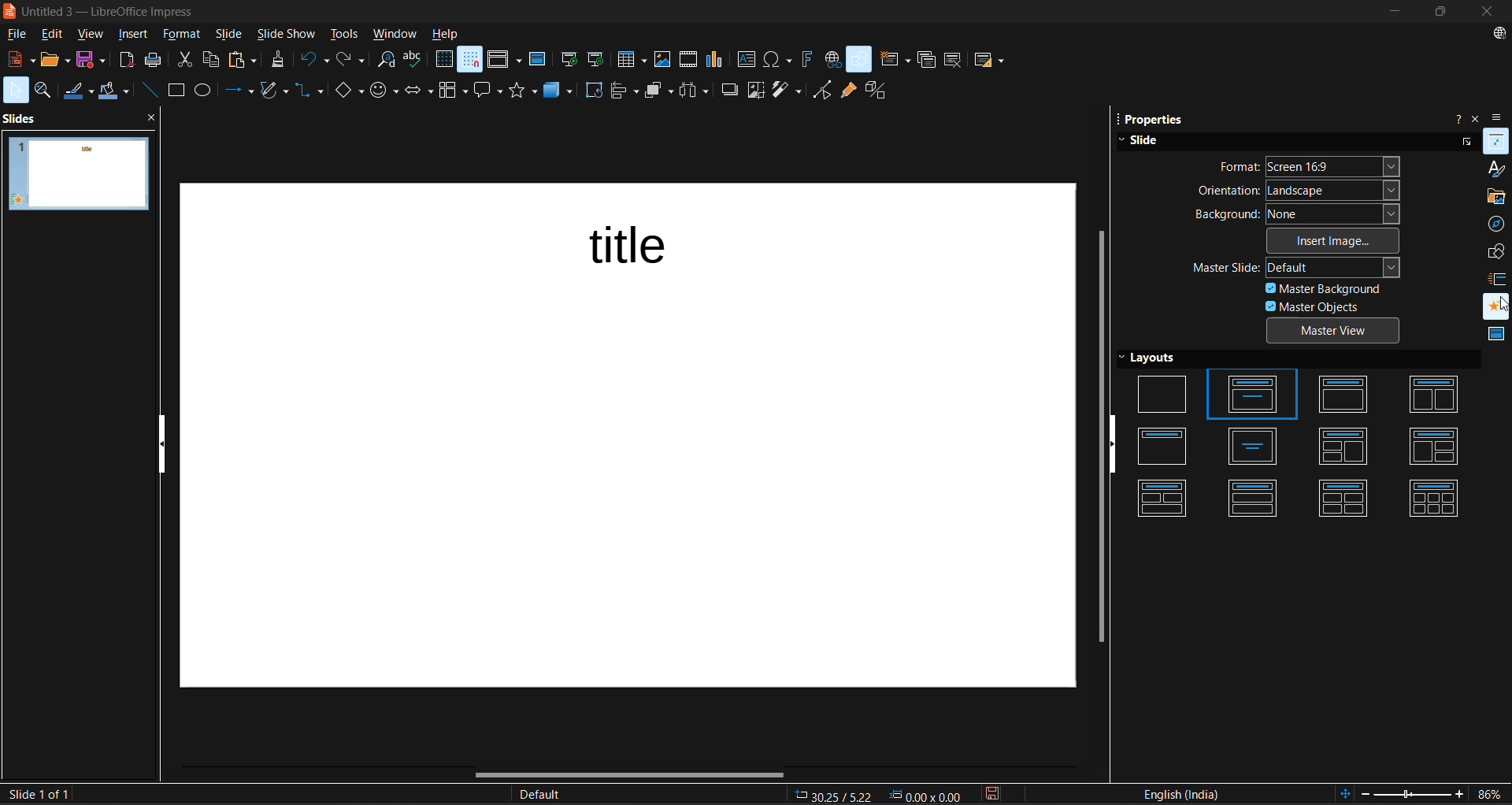 The image size is (1512, 805). I want to click on rectangle, so click(179, 91).